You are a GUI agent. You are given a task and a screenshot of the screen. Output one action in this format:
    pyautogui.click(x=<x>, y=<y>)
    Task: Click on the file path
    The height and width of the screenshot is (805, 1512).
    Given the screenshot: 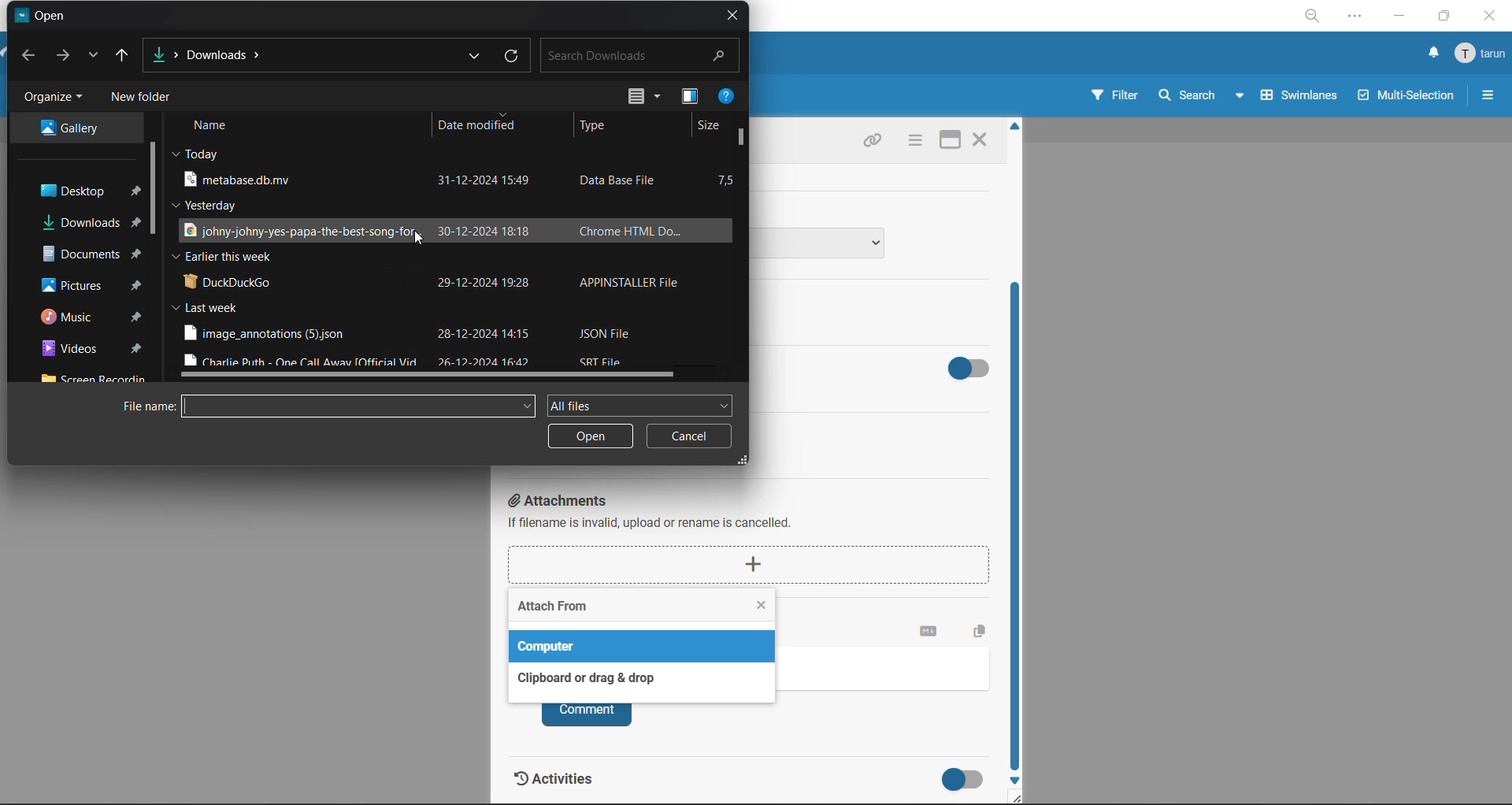 What is the action you would take?
    pyautogui.click(x=216, y=50)
    